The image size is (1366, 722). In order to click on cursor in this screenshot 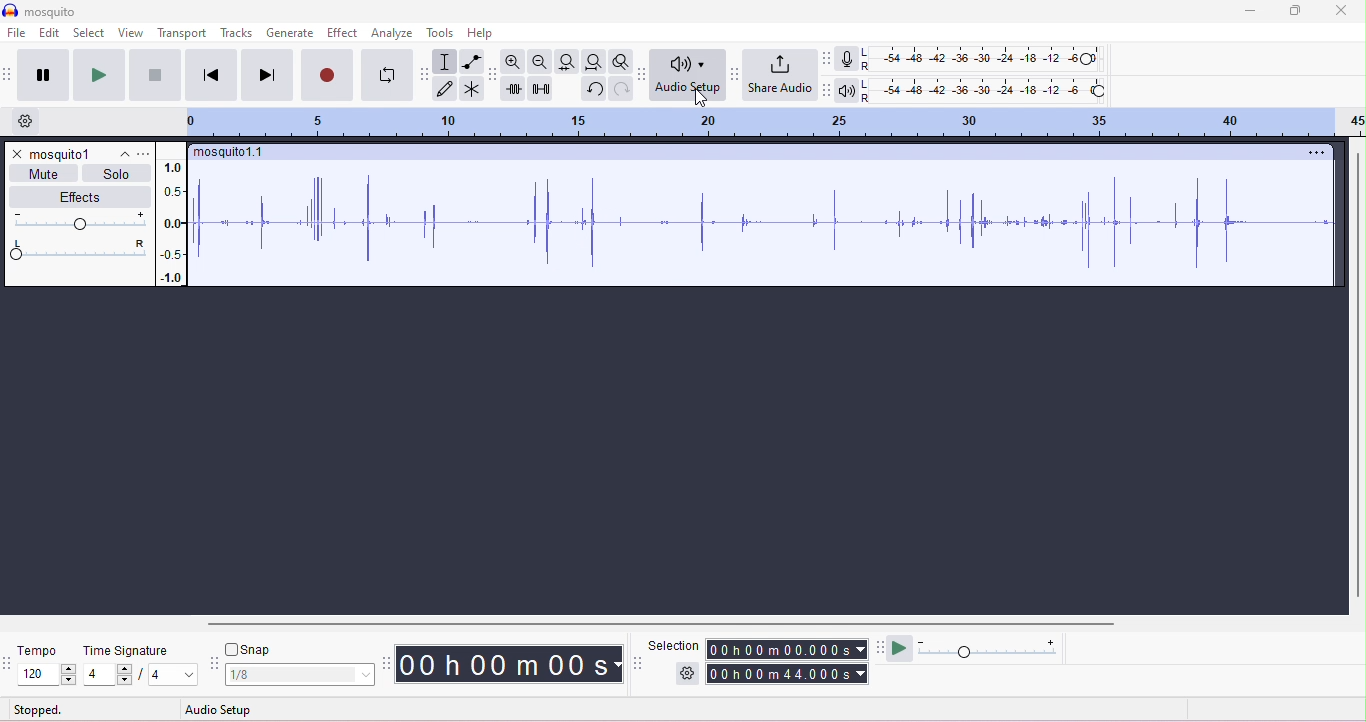, I will do `click(701, 99)`.